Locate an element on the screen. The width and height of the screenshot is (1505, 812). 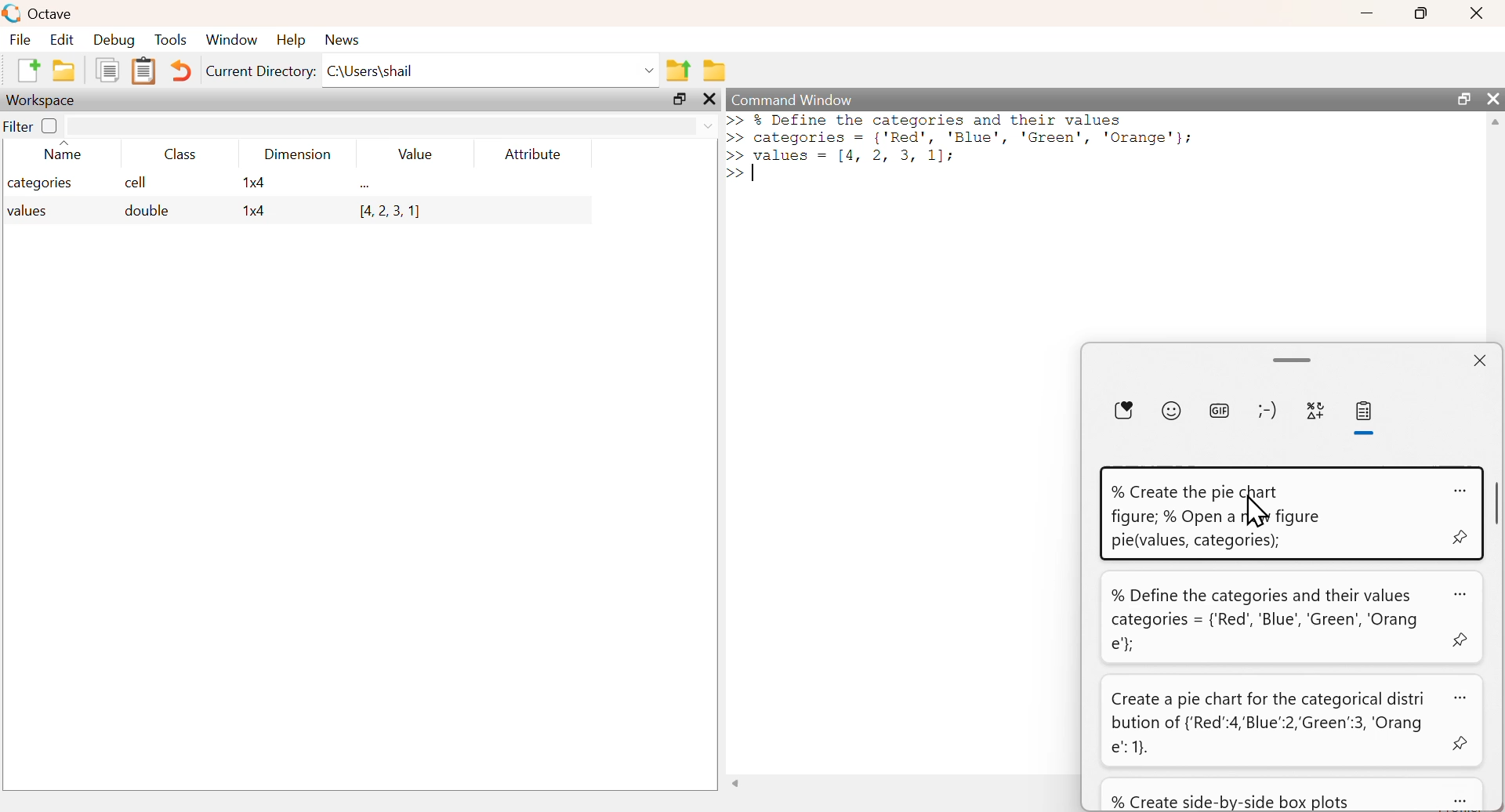
values is located at coordinates (29, 212).